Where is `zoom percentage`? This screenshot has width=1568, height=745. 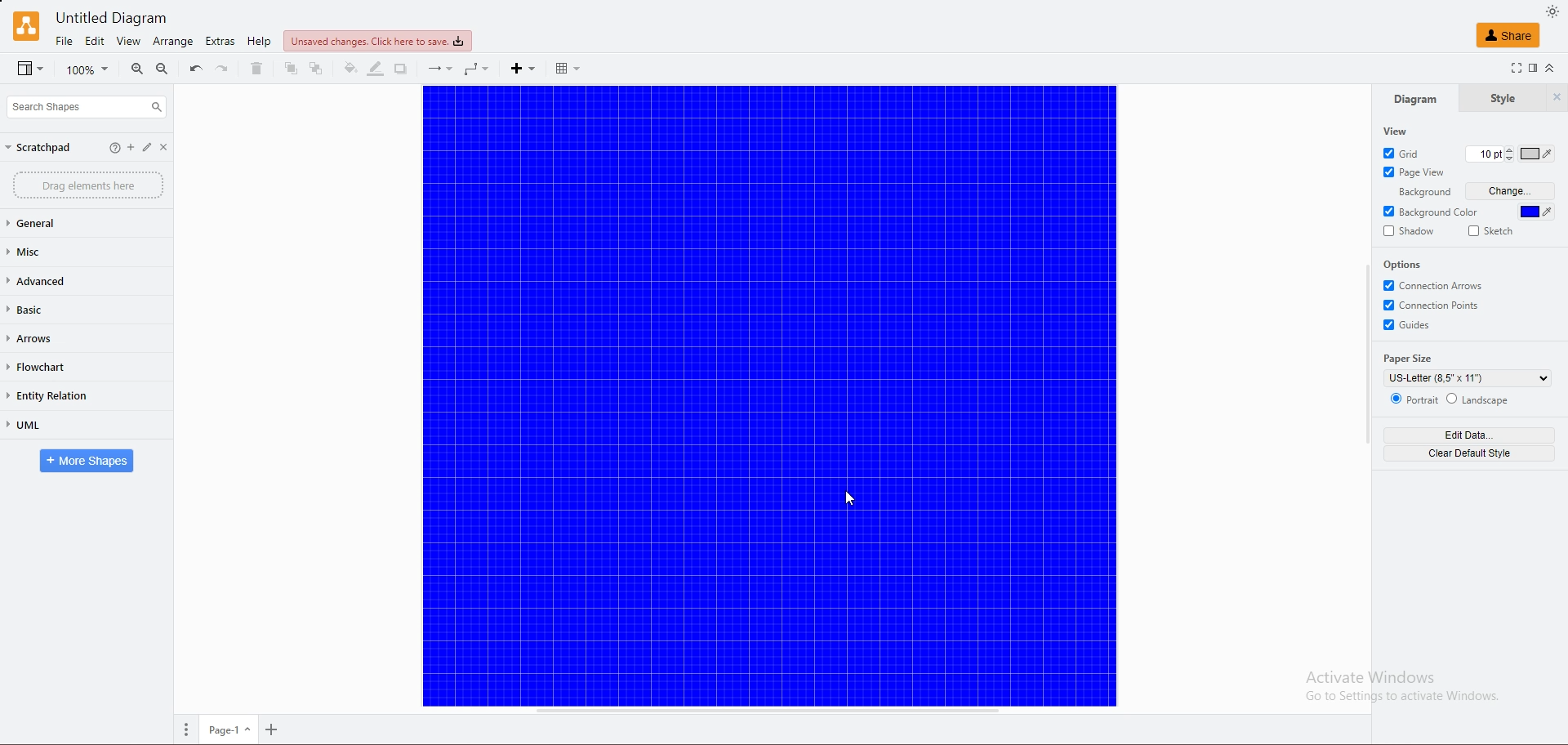 zoom percentage is located at coordinates (89, 69).